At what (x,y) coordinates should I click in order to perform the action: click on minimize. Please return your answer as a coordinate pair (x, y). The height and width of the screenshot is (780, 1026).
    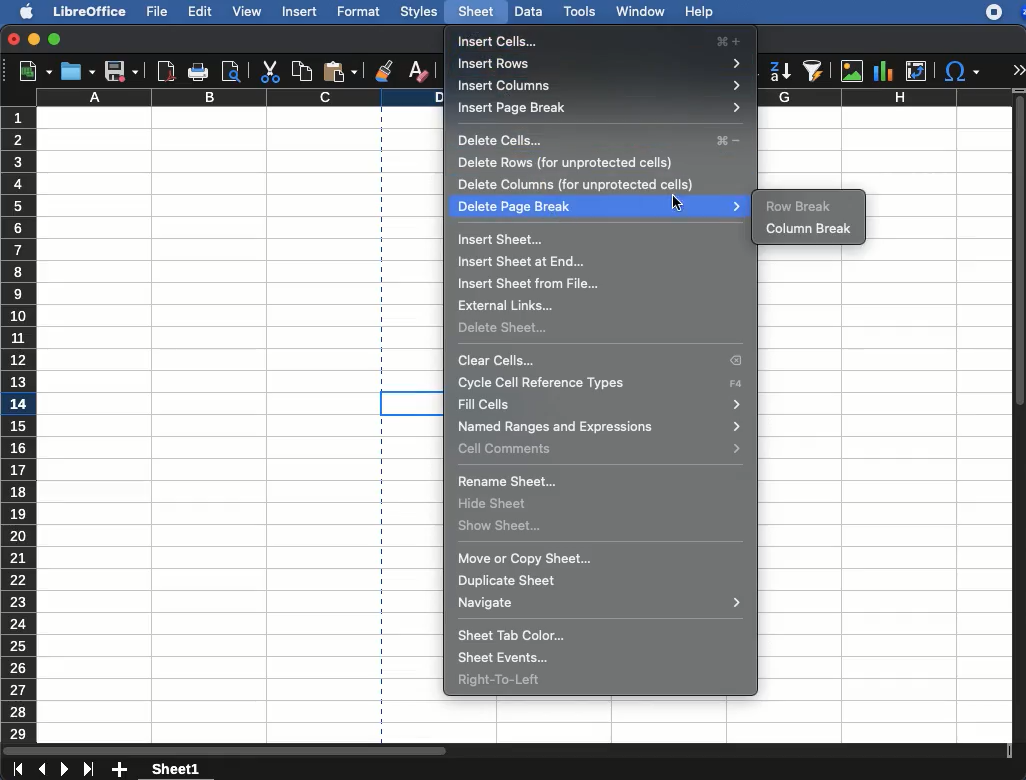
    Looking at the image, I should click on (35, 39).